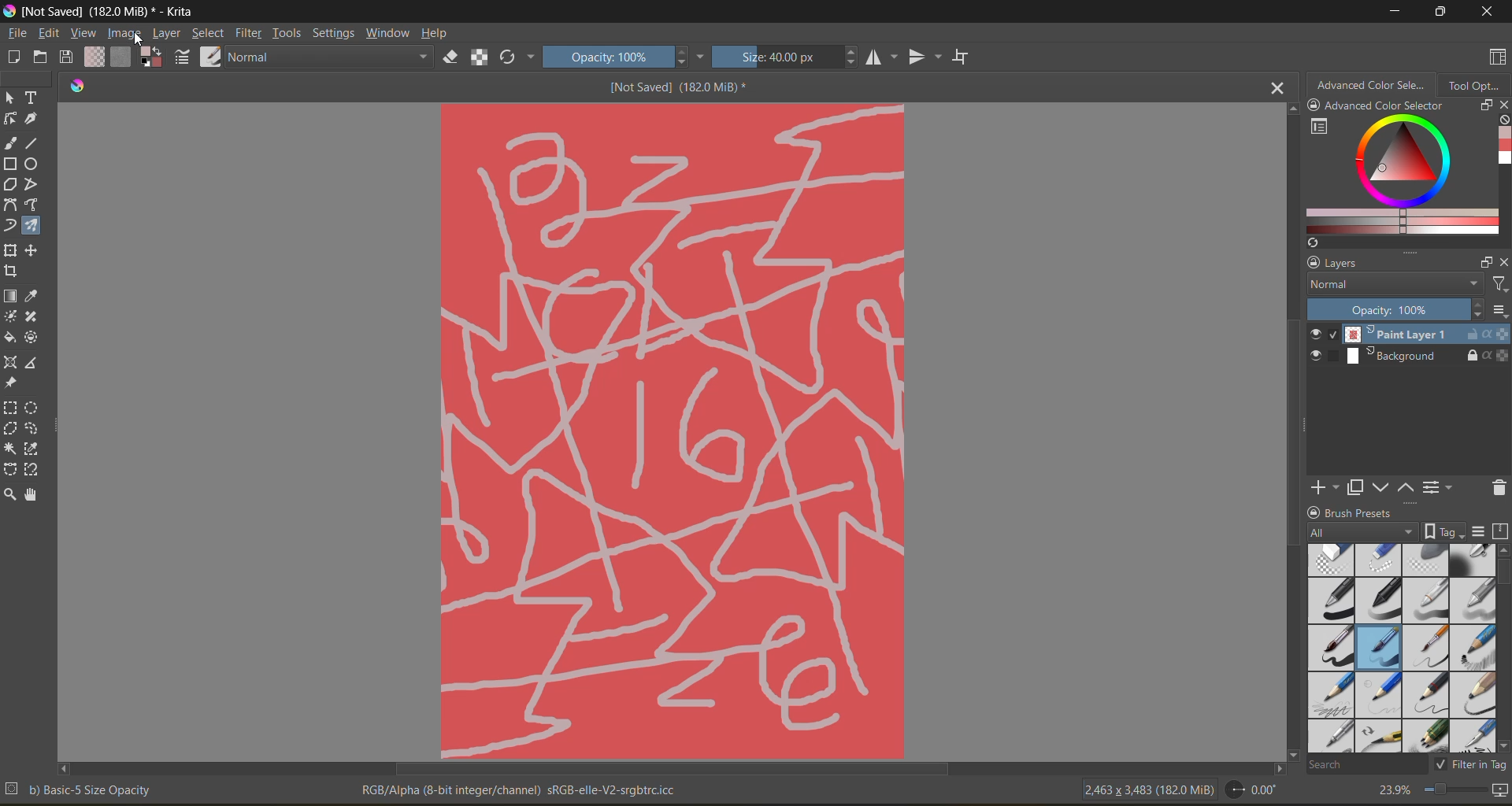  I want to click on filters, so click(1498, 287).